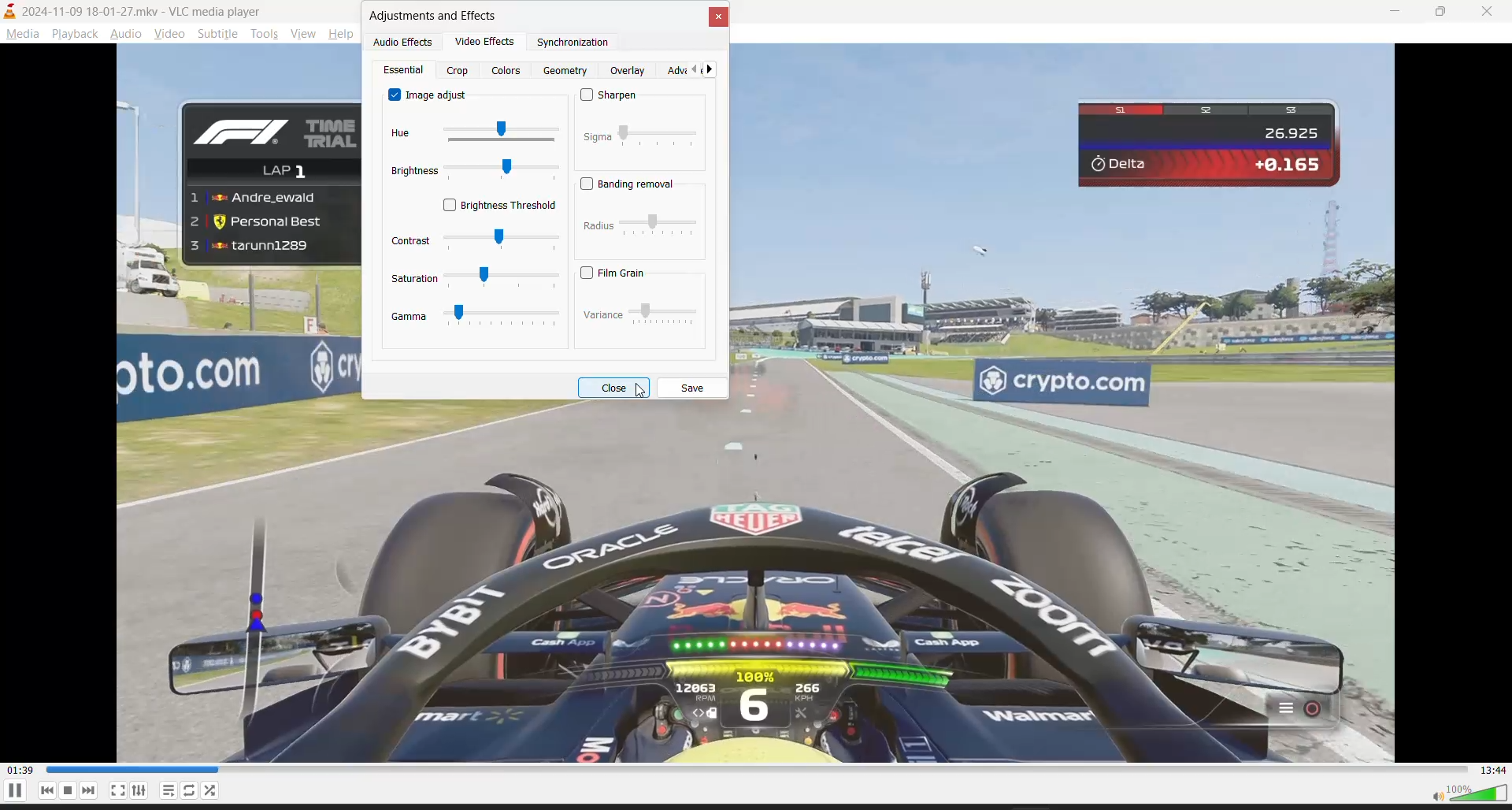 This screenshot has width=1512, height=810. What do you see at coordinates (1489, 9) in the screenshot?
I see `close` at bounding box center [1489, 9].